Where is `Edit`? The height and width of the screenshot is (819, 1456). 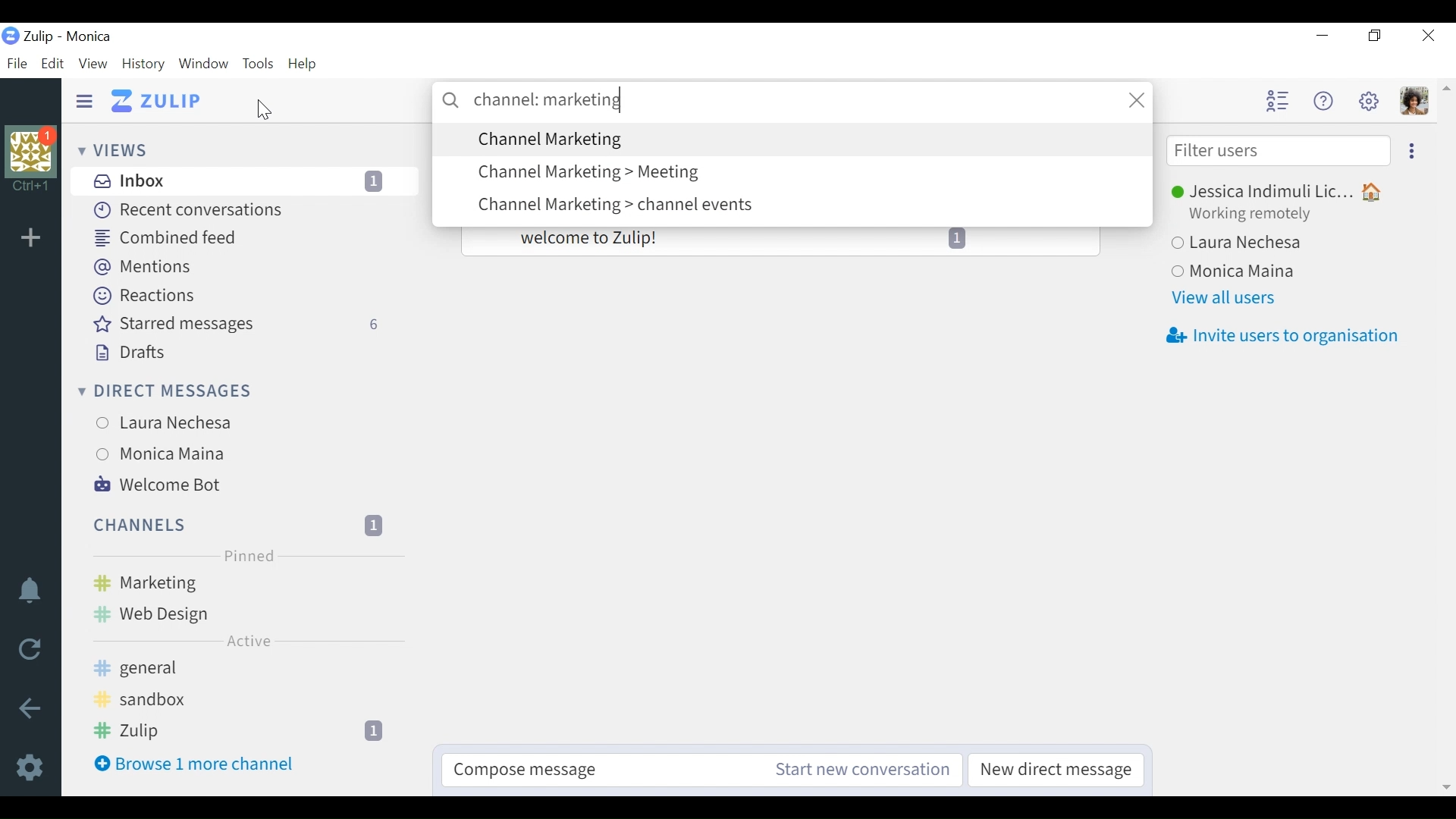 Edit is located at coordinates (54, 64).